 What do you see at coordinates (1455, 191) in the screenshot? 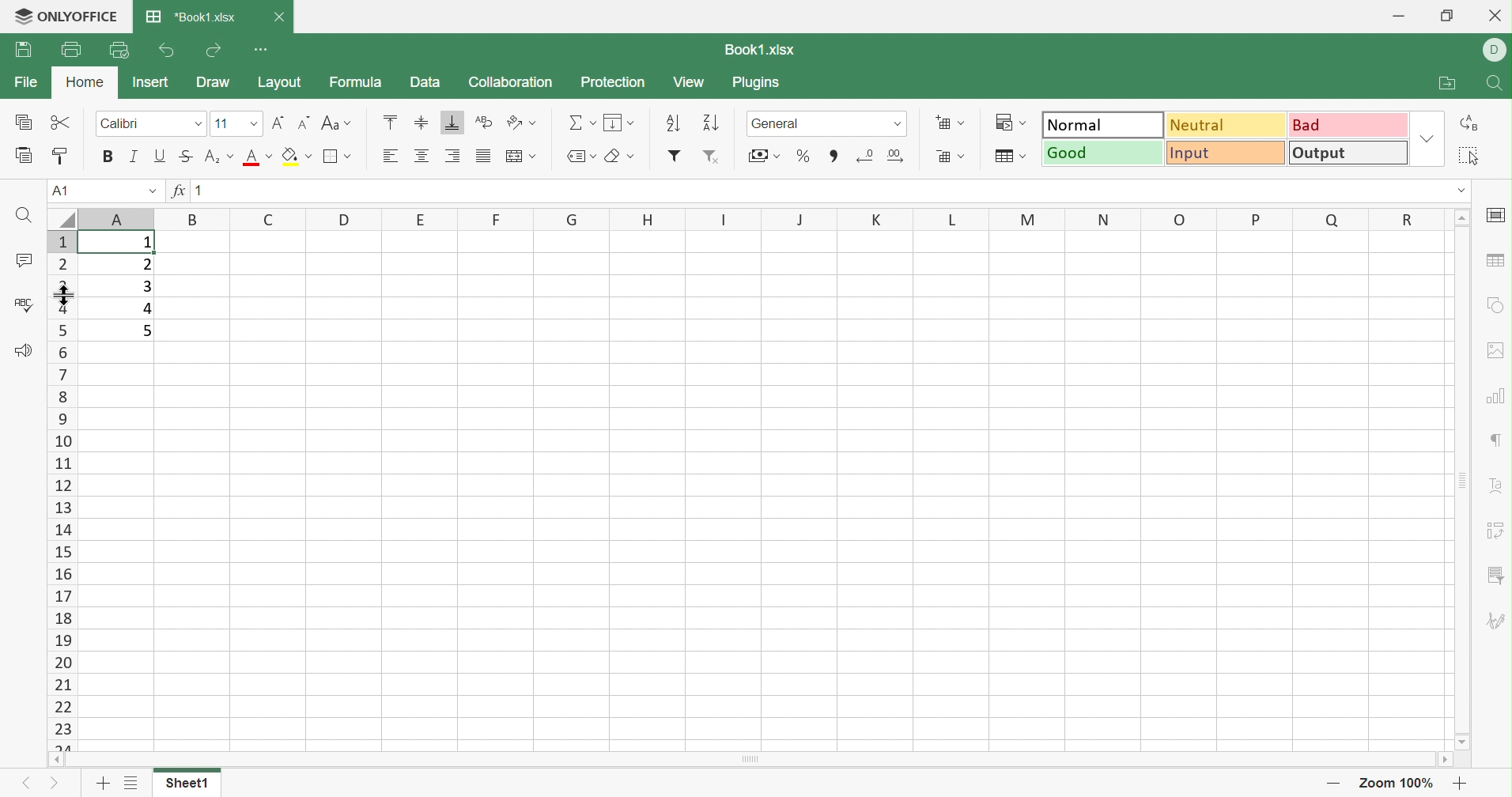
I see `Drop Down` at bounding box center [1455, 191].